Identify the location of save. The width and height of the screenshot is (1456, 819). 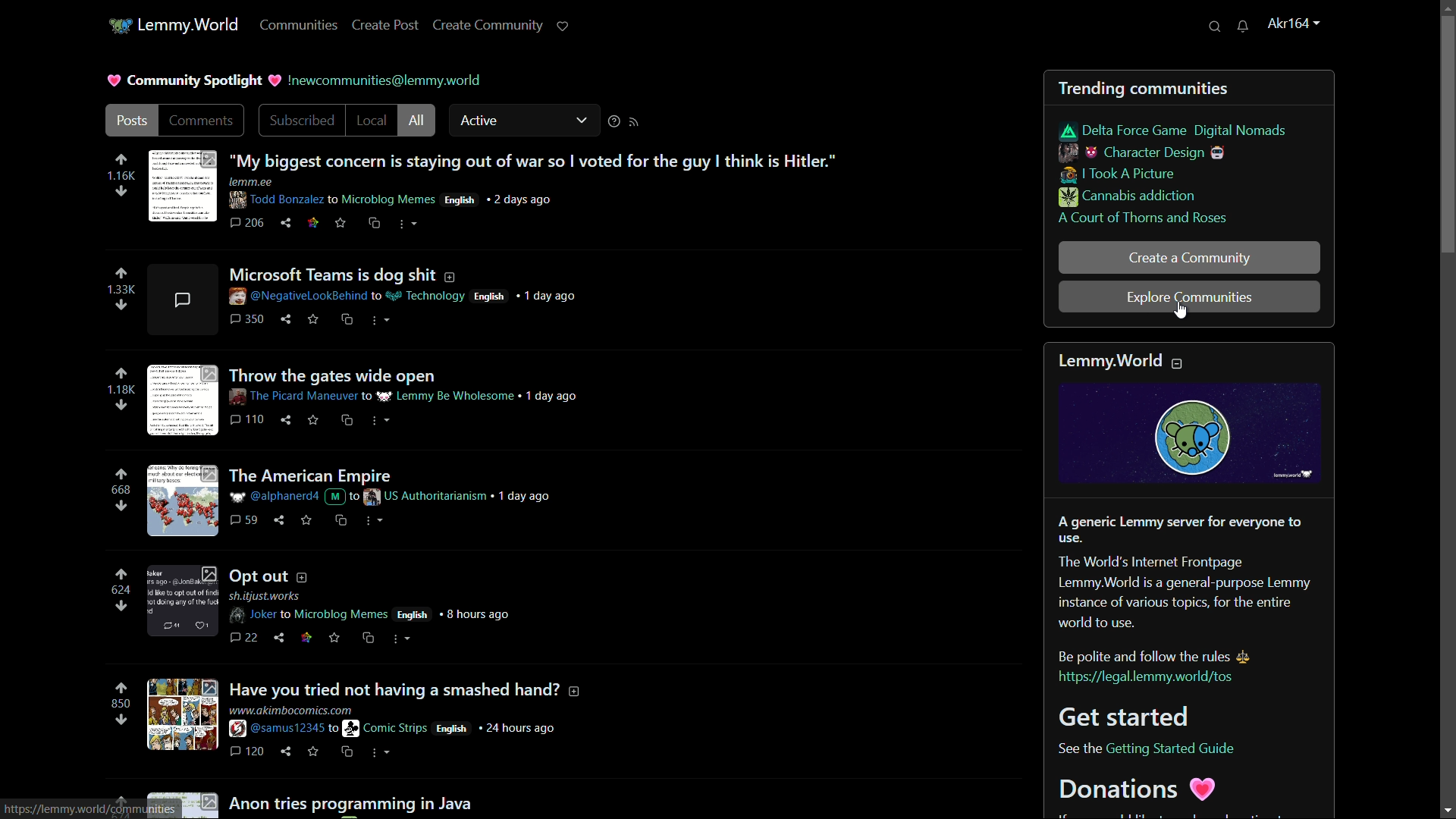
(337, 636).